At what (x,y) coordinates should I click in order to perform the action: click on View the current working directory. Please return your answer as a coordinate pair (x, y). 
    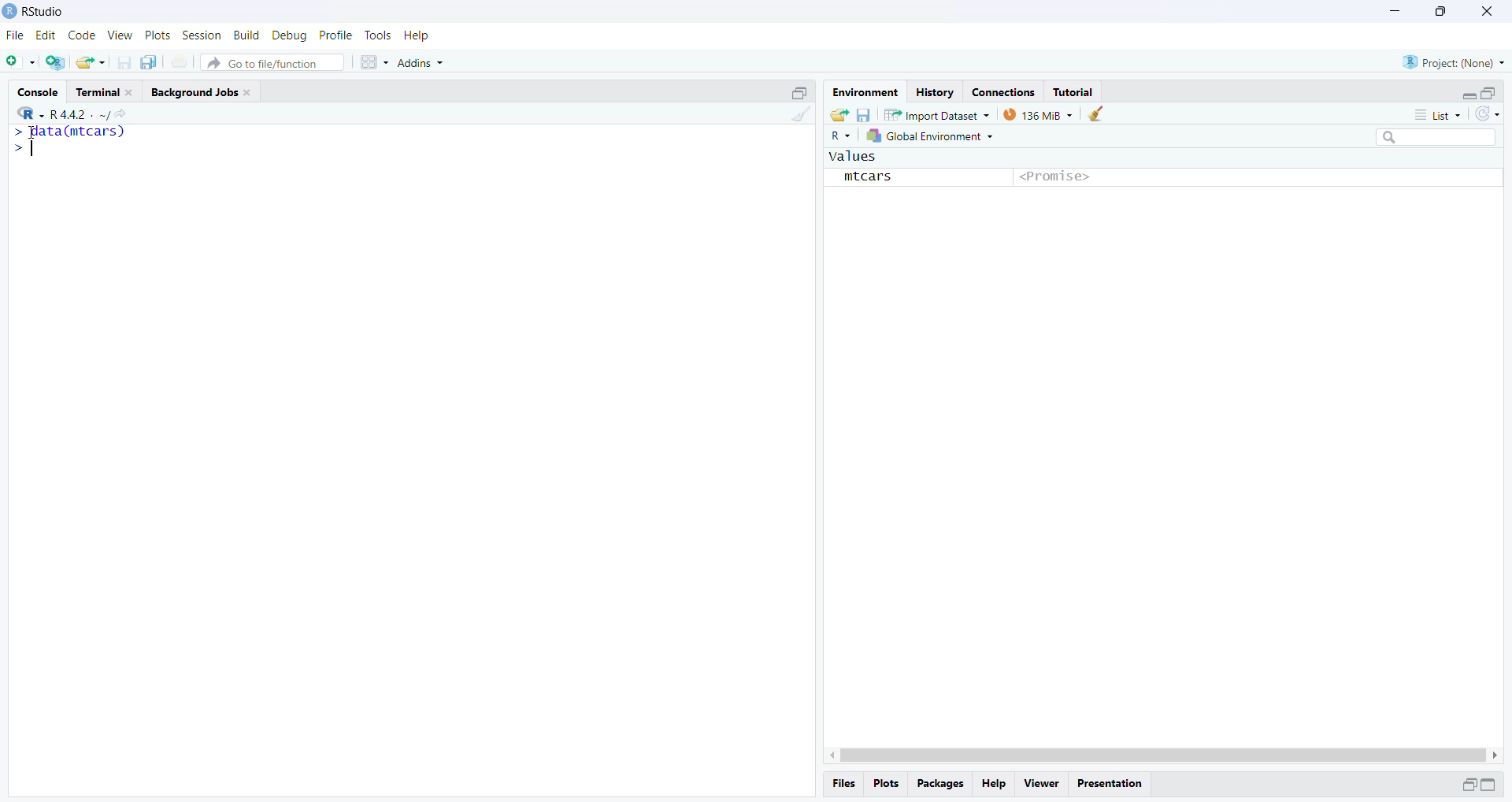
    Looking at the image, I should click on (121, 113).